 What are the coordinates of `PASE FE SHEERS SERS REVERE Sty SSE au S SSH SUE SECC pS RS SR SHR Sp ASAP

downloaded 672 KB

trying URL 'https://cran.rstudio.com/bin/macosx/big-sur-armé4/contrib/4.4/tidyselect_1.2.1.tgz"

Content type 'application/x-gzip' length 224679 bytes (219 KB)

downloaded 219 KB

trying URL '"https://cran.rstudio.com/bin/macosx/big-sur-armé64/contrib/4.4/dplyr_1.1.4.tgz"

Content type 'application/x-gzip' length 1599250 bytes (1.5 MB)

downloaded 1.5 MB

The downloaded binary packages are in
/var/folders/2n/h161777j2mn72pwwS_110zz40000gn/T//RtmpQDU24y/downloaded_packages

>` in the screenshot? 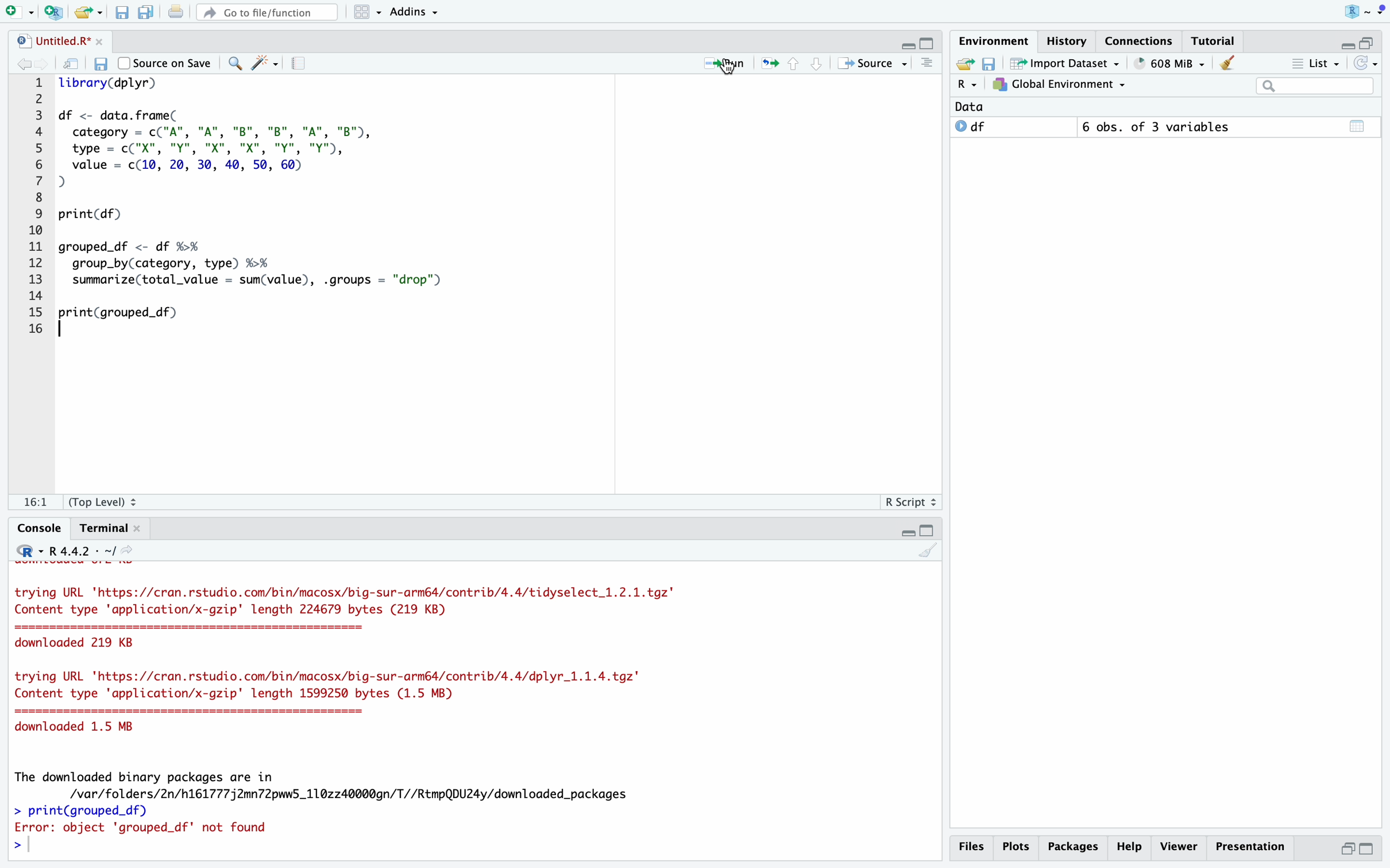 It's located at (476, 710).